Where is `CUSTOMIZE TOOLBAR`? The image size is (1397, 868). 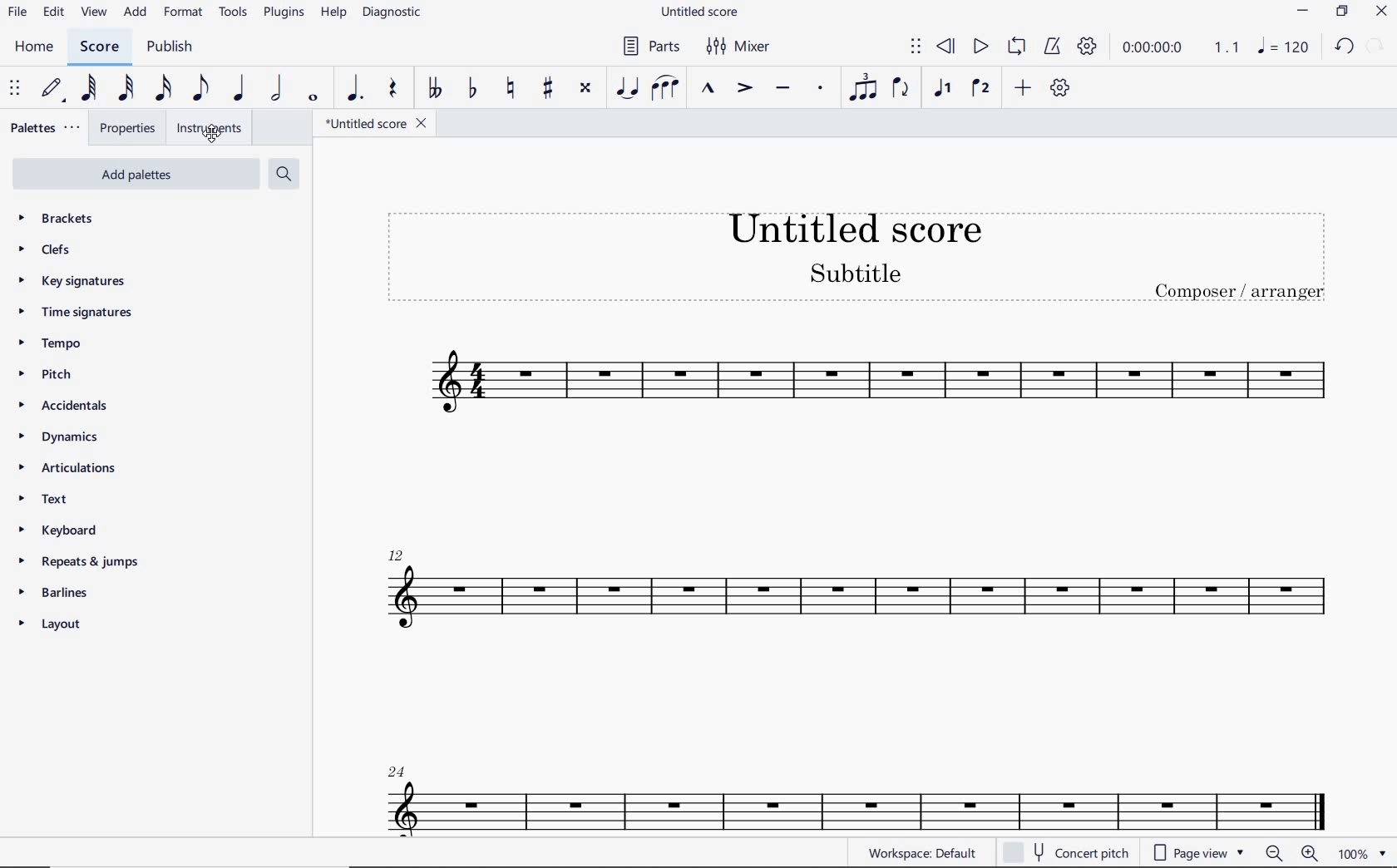 CUSTOMIZE TOOLBAR is located at coordinates (1060, 87).